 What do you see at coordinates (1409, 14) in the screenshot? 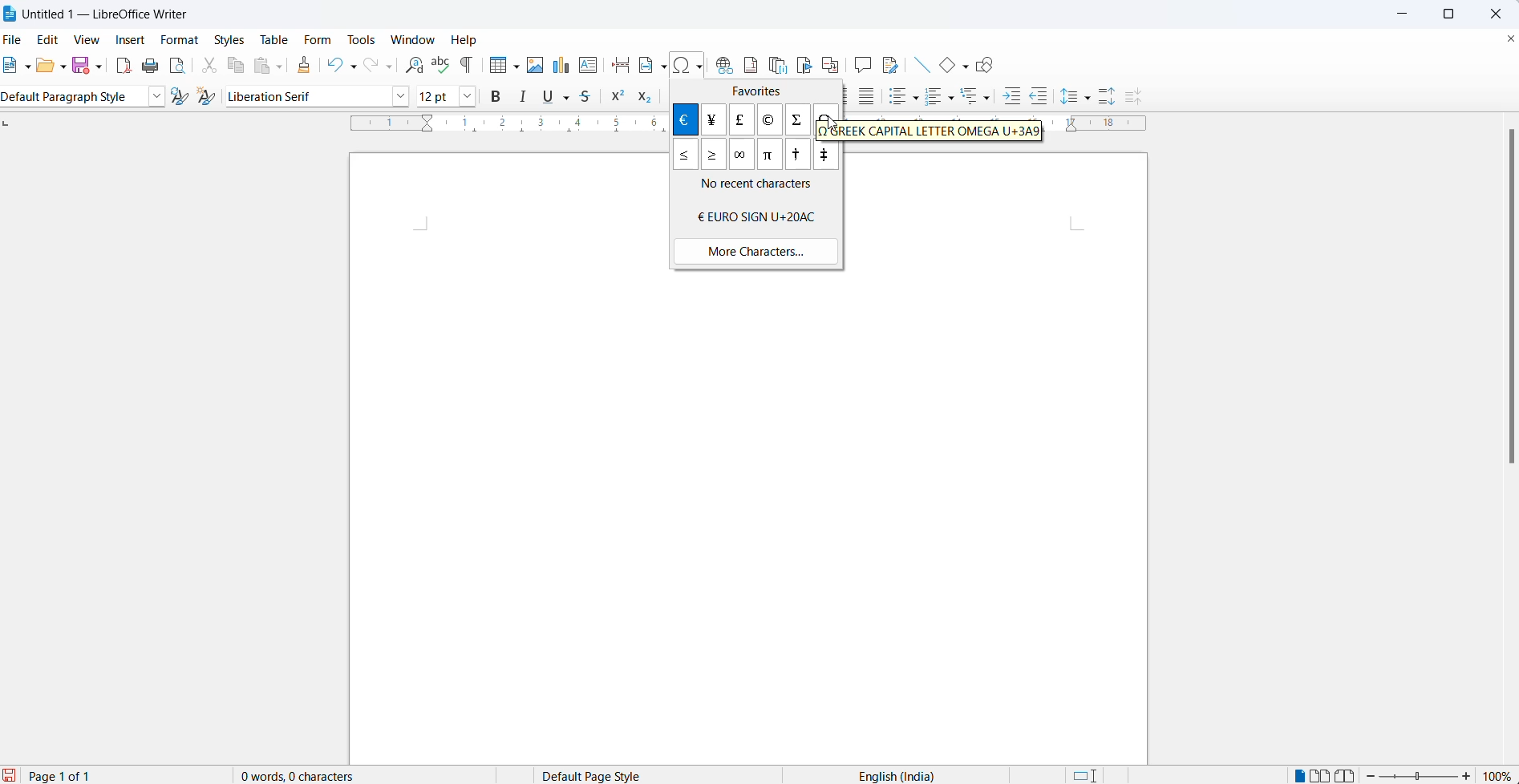
I see `minimize` at bounding box center [1409, 14].